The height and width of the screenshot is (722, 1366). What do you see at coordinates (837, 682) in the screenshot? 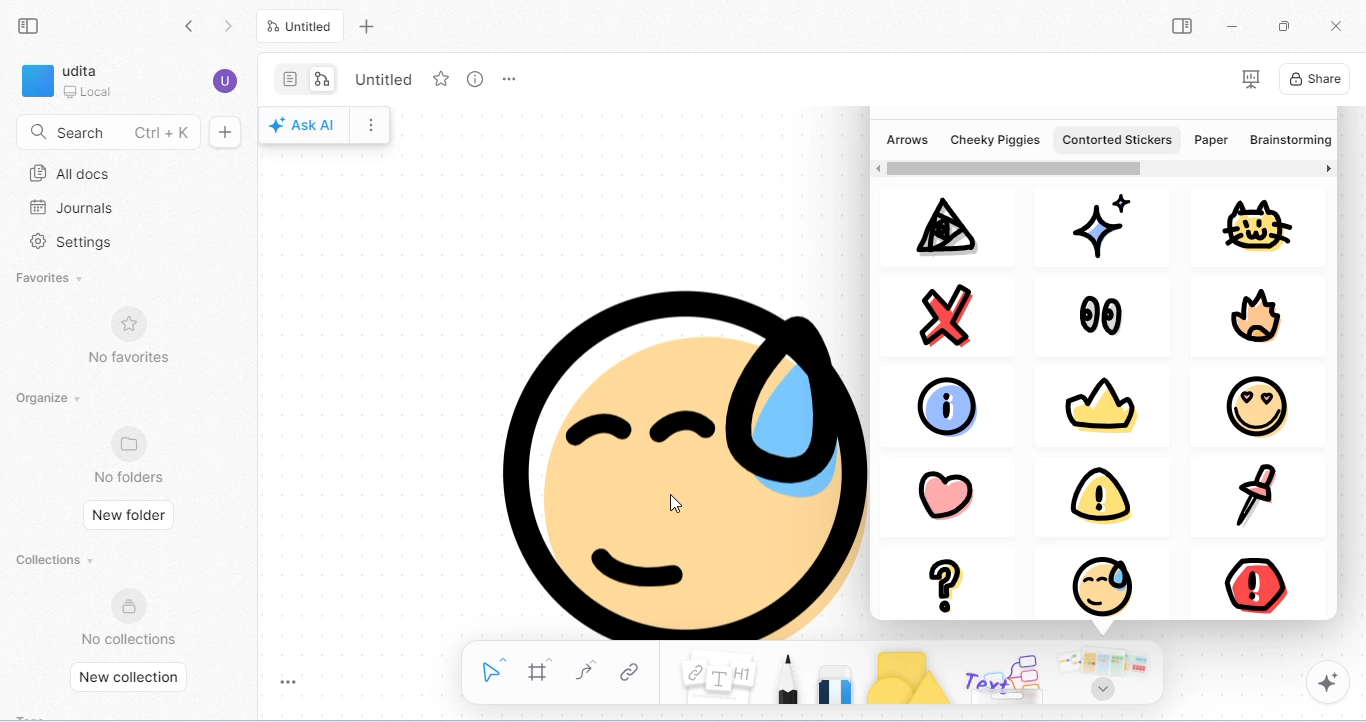
I see `eraser` at bounding box center [837, 682].